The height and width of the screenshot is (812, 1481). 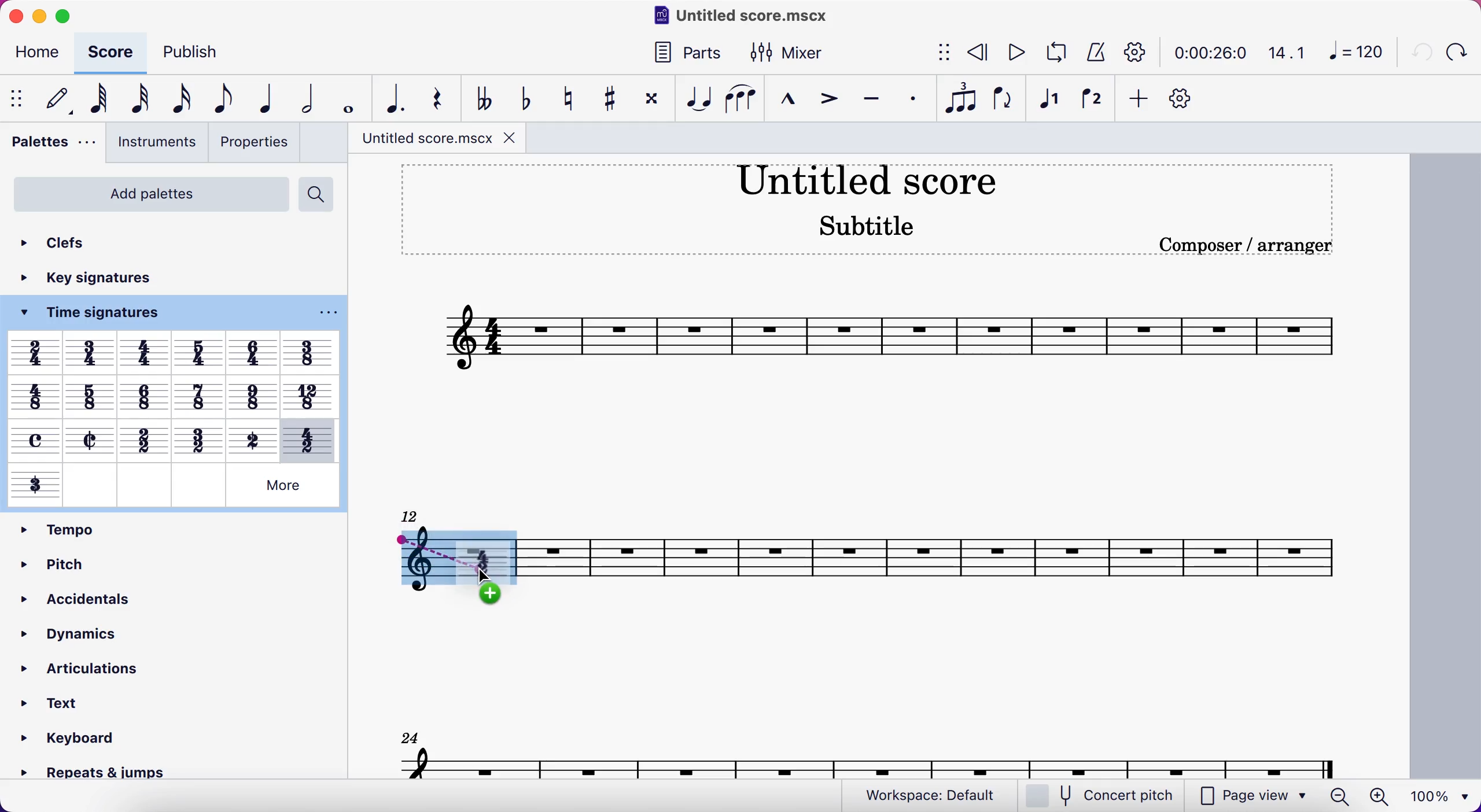 I want to click on palettes, so click(x=52, y=145).